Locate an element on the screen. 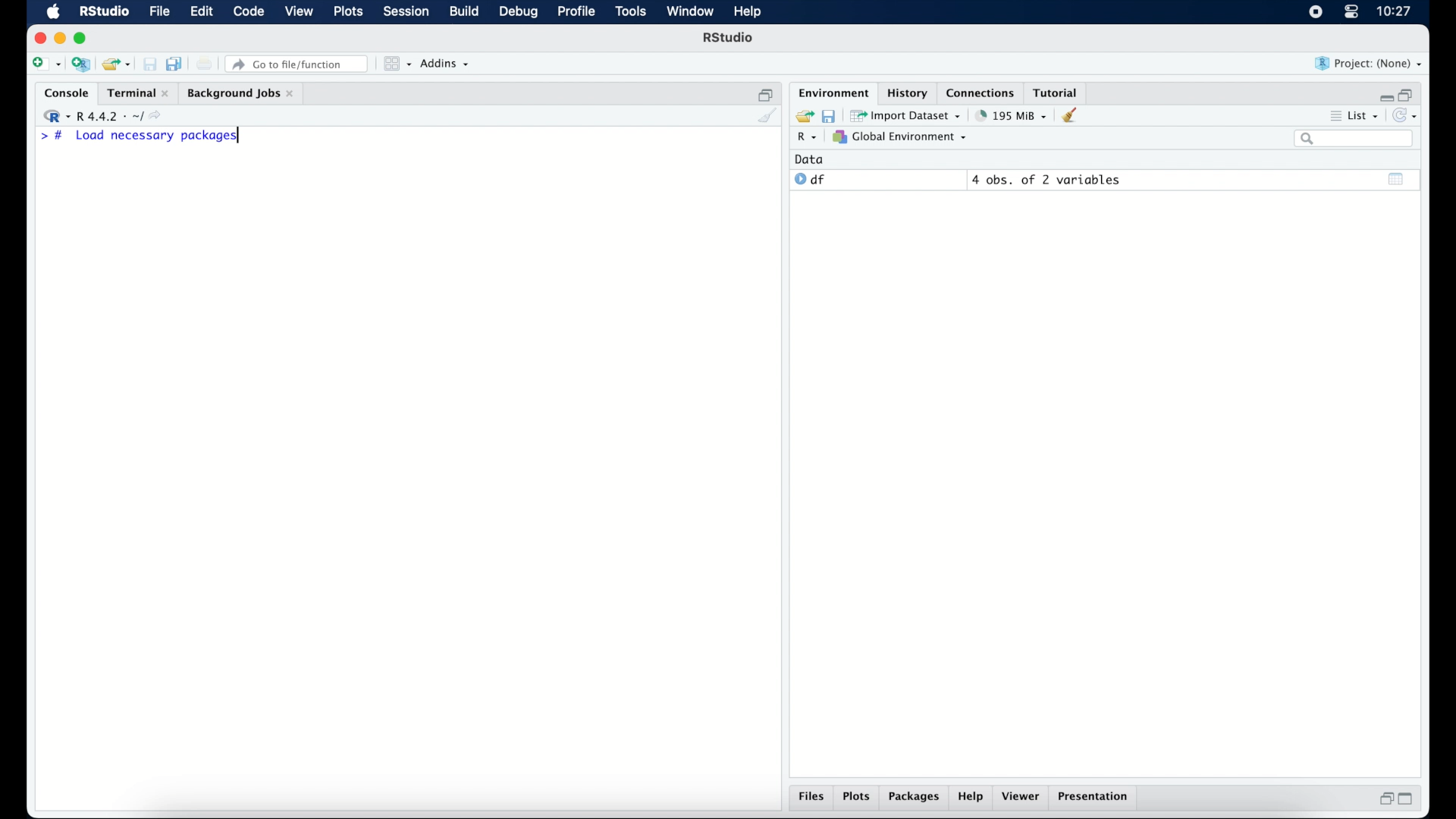 This screenshot has height=819, width=1456. tutorial is located at coordinates (1059, 92).